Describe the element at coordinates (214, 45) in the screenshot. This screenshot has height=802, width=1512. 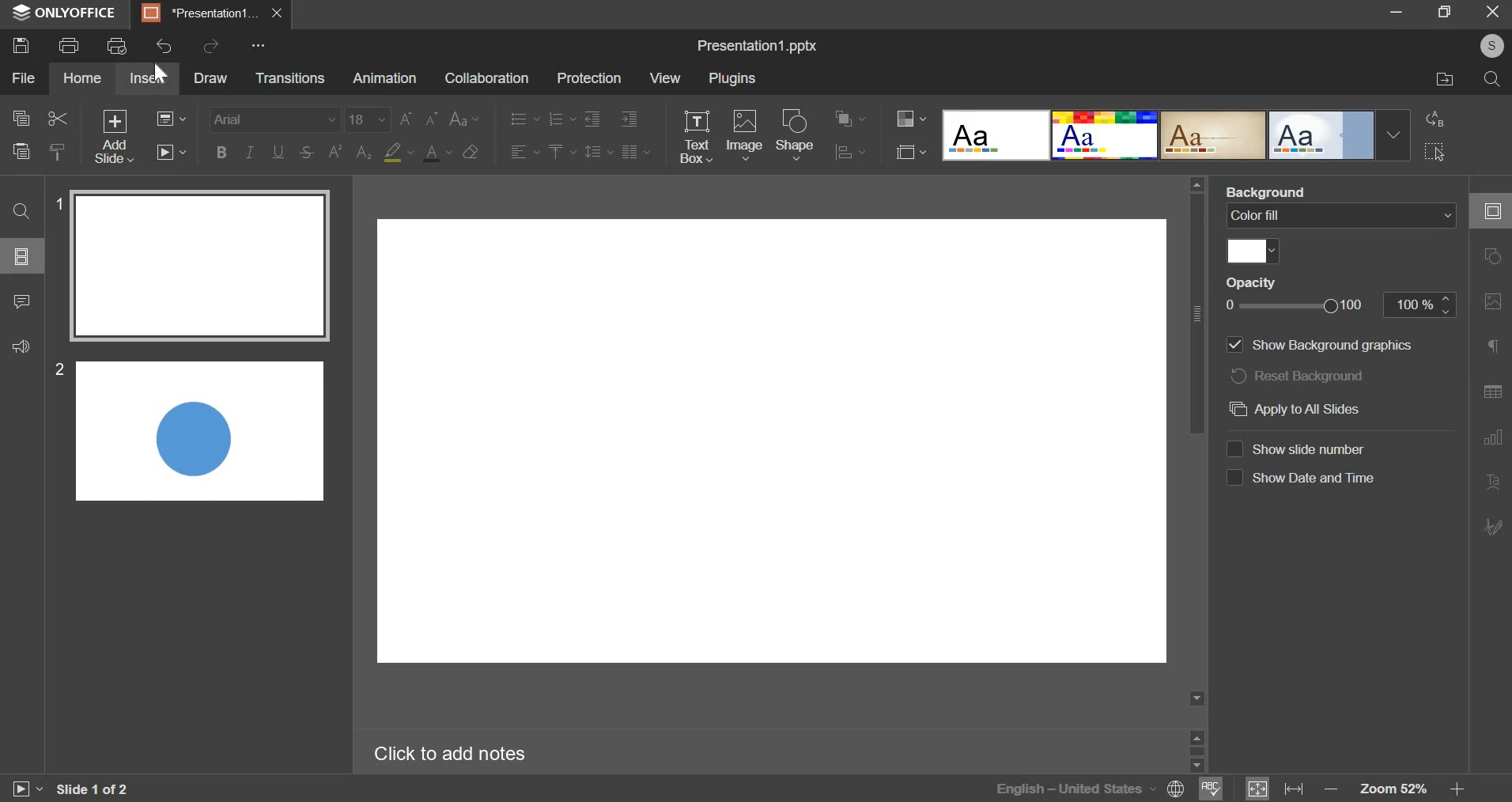
I see `redo` at that location.